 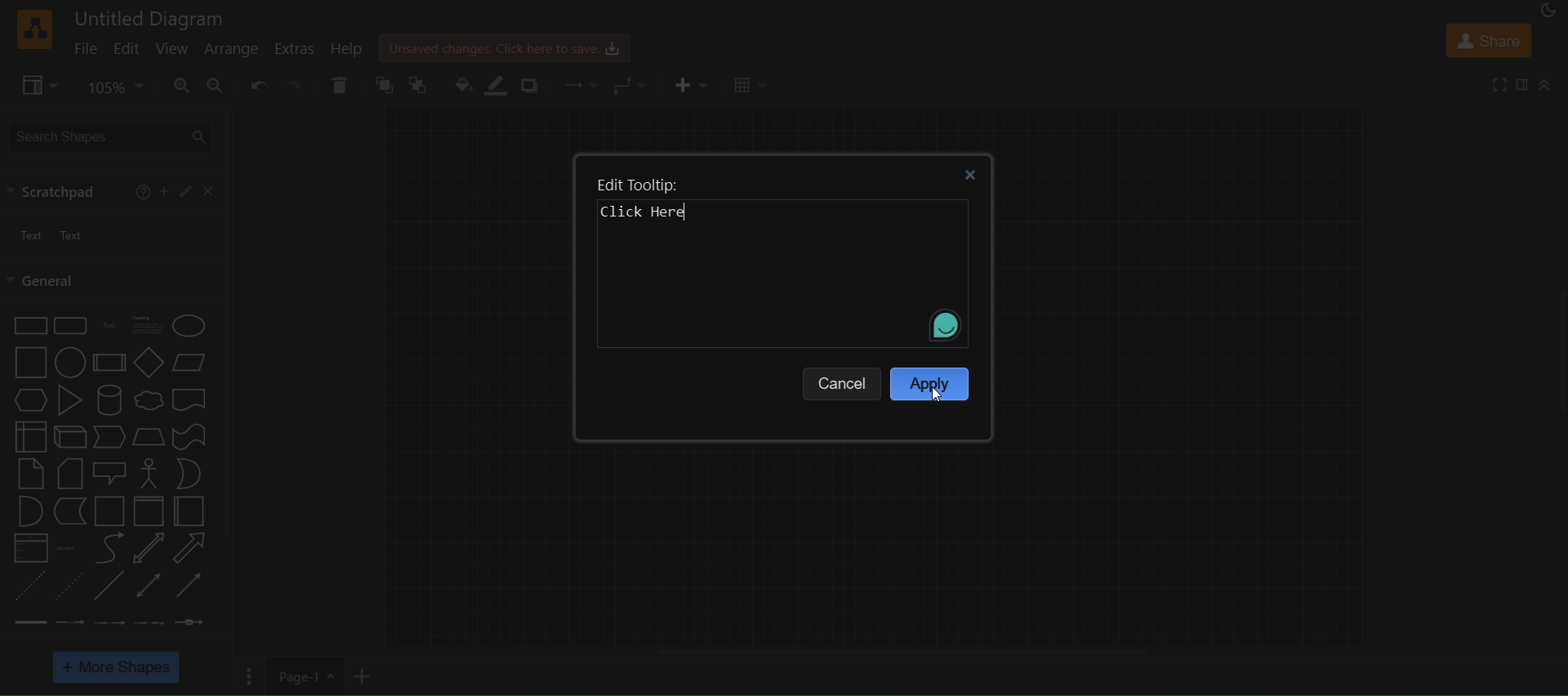 What do you see at coordinates (36, 83) in the screenshot?
I see `view` at bounding box center [36, 83].